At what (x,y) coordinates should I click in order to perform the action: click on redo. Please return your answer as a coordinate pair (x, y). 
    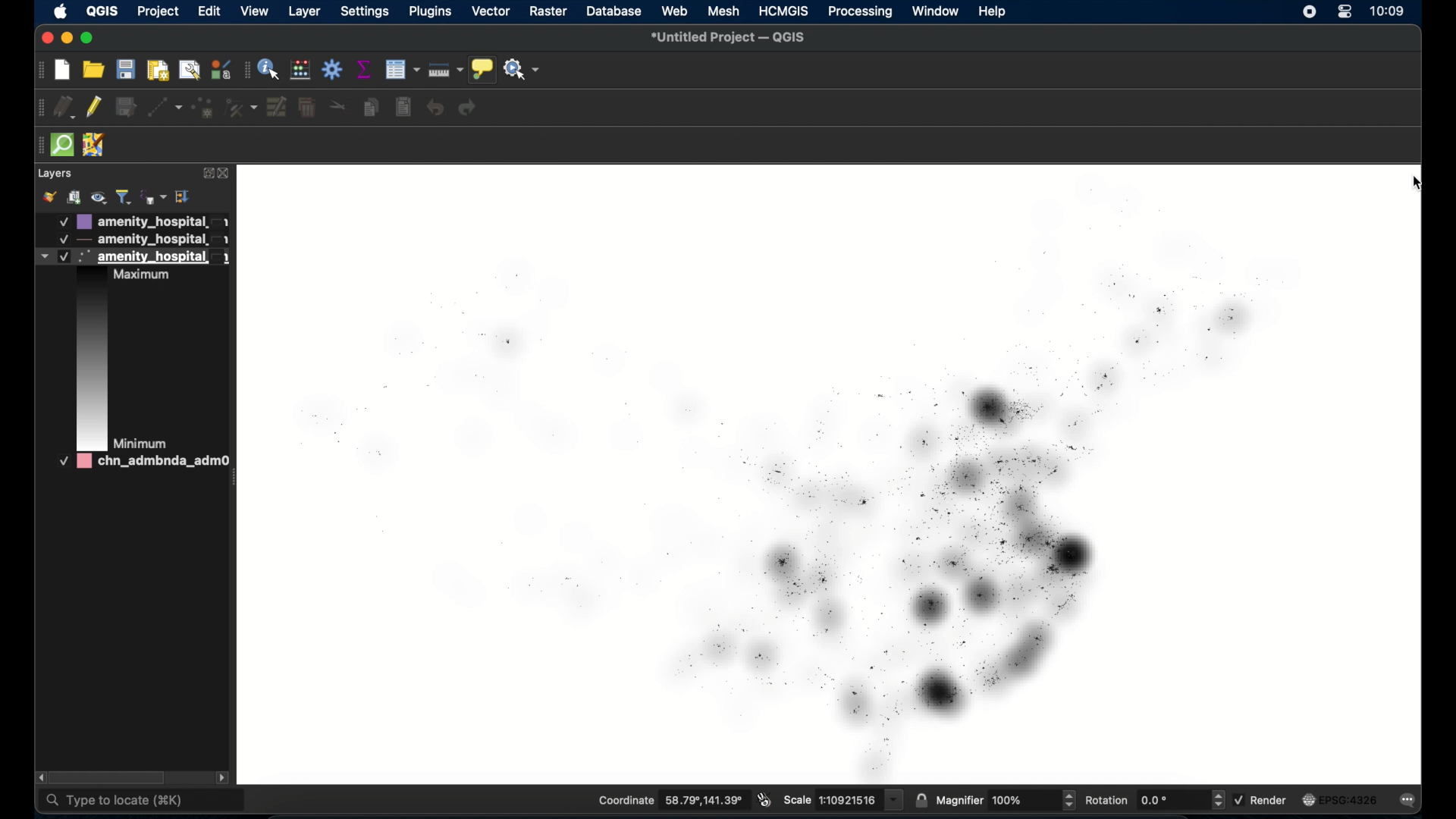
    Looking at the image, I should click on (468, 110).